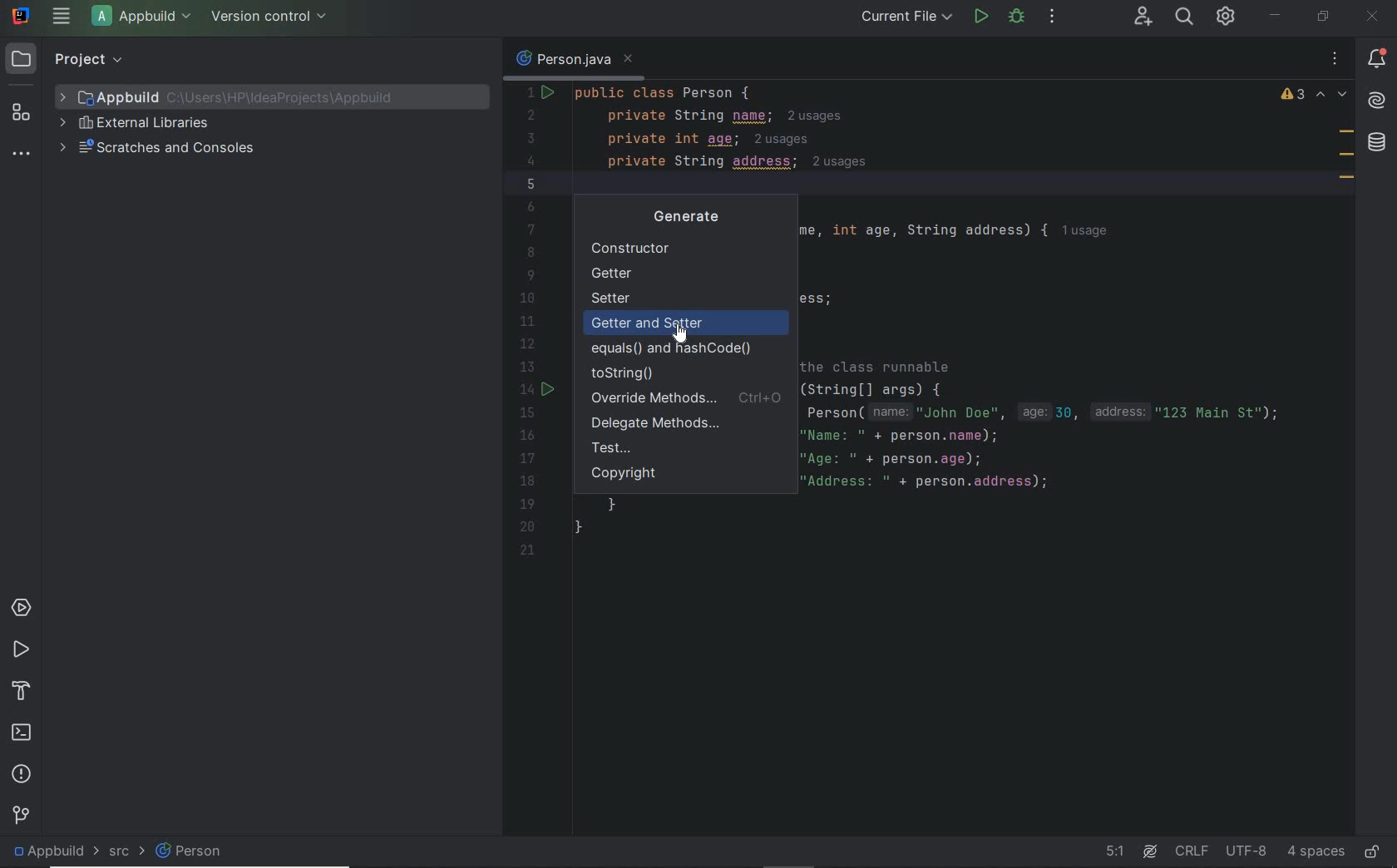 Image resolution: width=1397 pixels, height=868 pixels. Describe the element at coordinates (1346, 157) in the screenshot. I see `field marks` at that location.